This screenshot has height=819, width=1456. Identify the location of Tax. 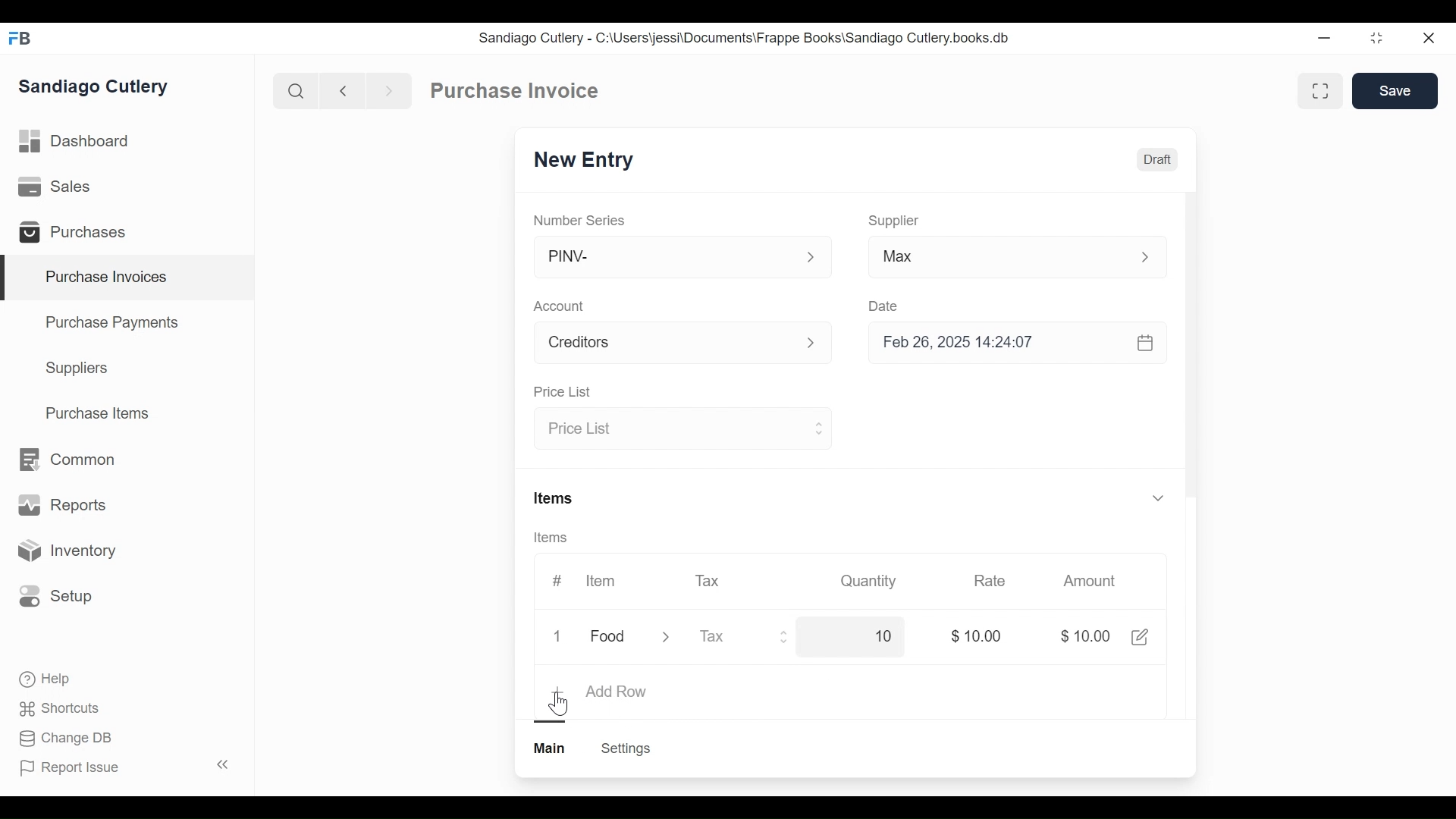
(730, 636).